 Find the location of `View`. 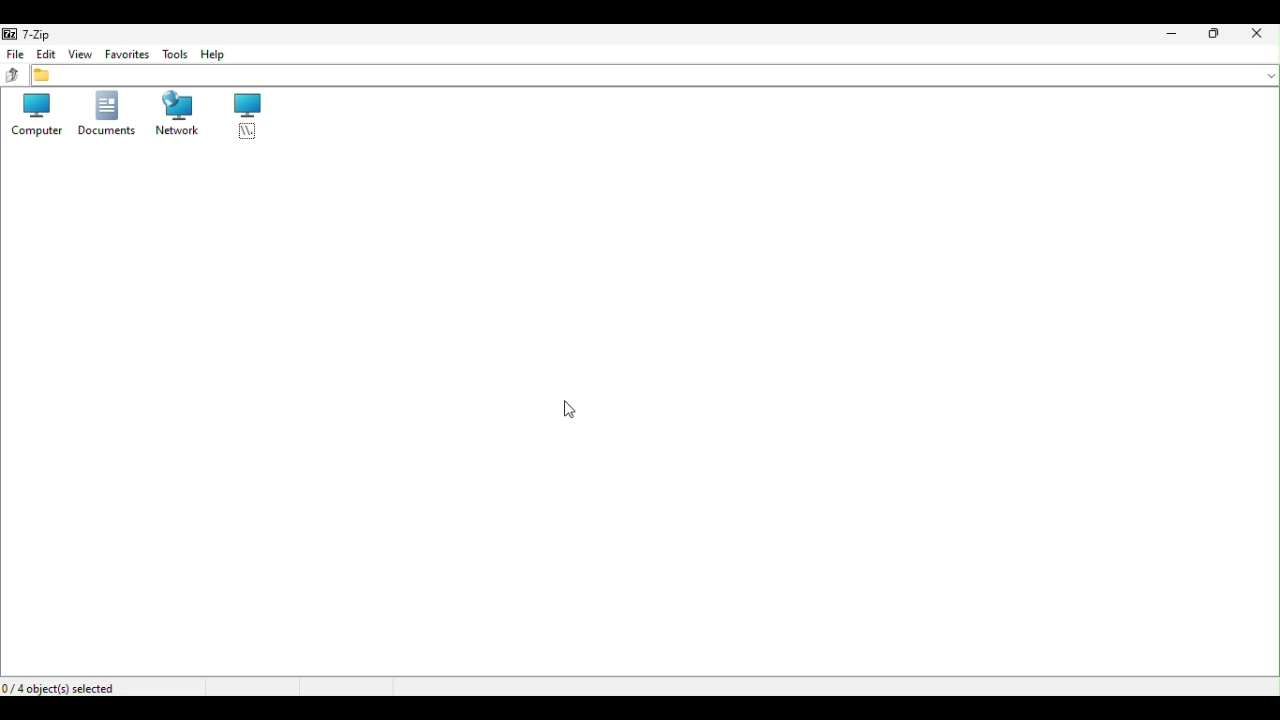

View is located at coordinates (81, 53).